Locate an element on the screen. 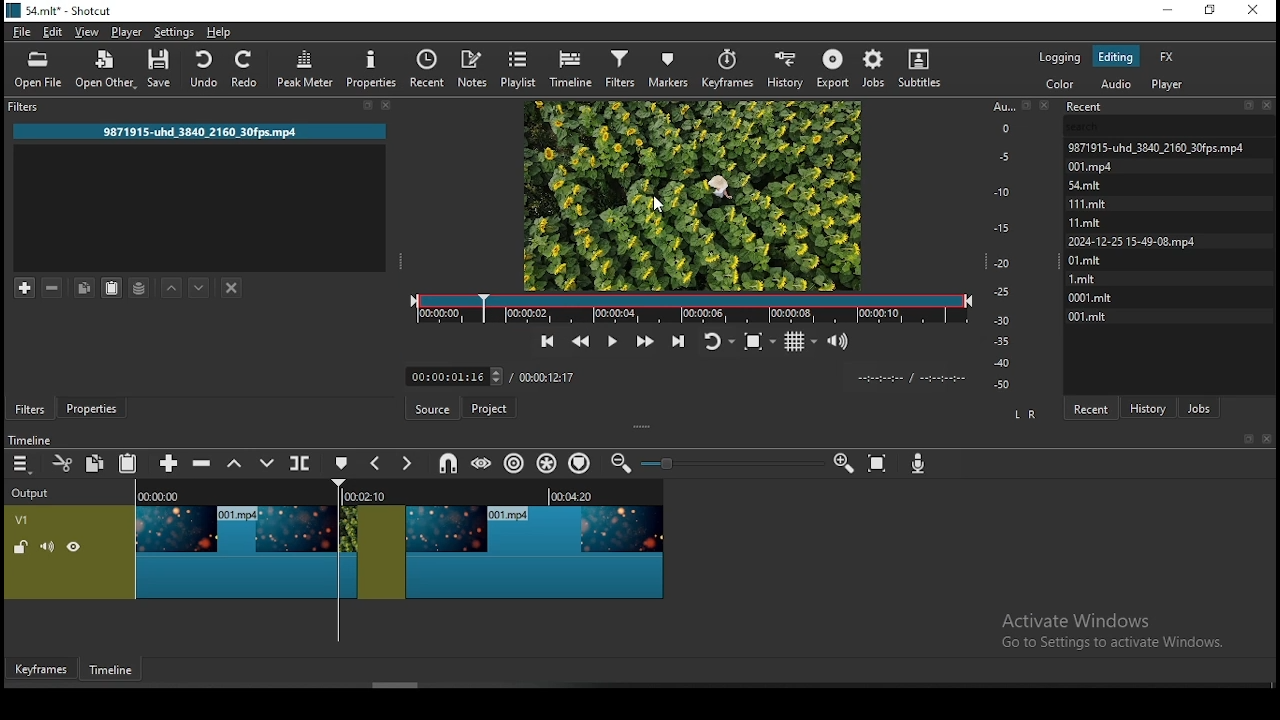 This screenshot has height=720, width=1280. play/pause is located at coordinates (611, 340).